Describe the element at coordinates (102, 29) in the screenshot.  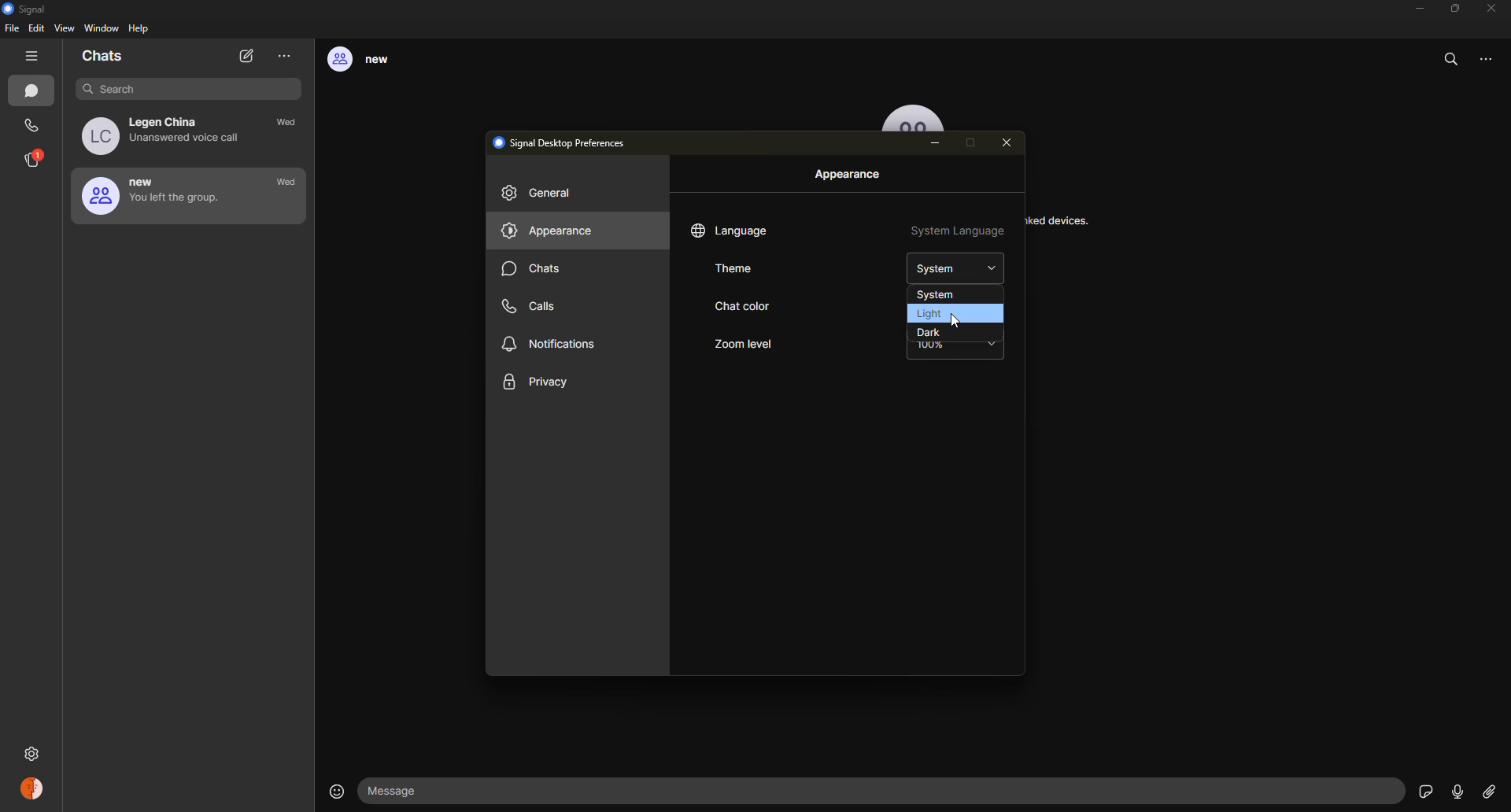
I see `window` at that location.